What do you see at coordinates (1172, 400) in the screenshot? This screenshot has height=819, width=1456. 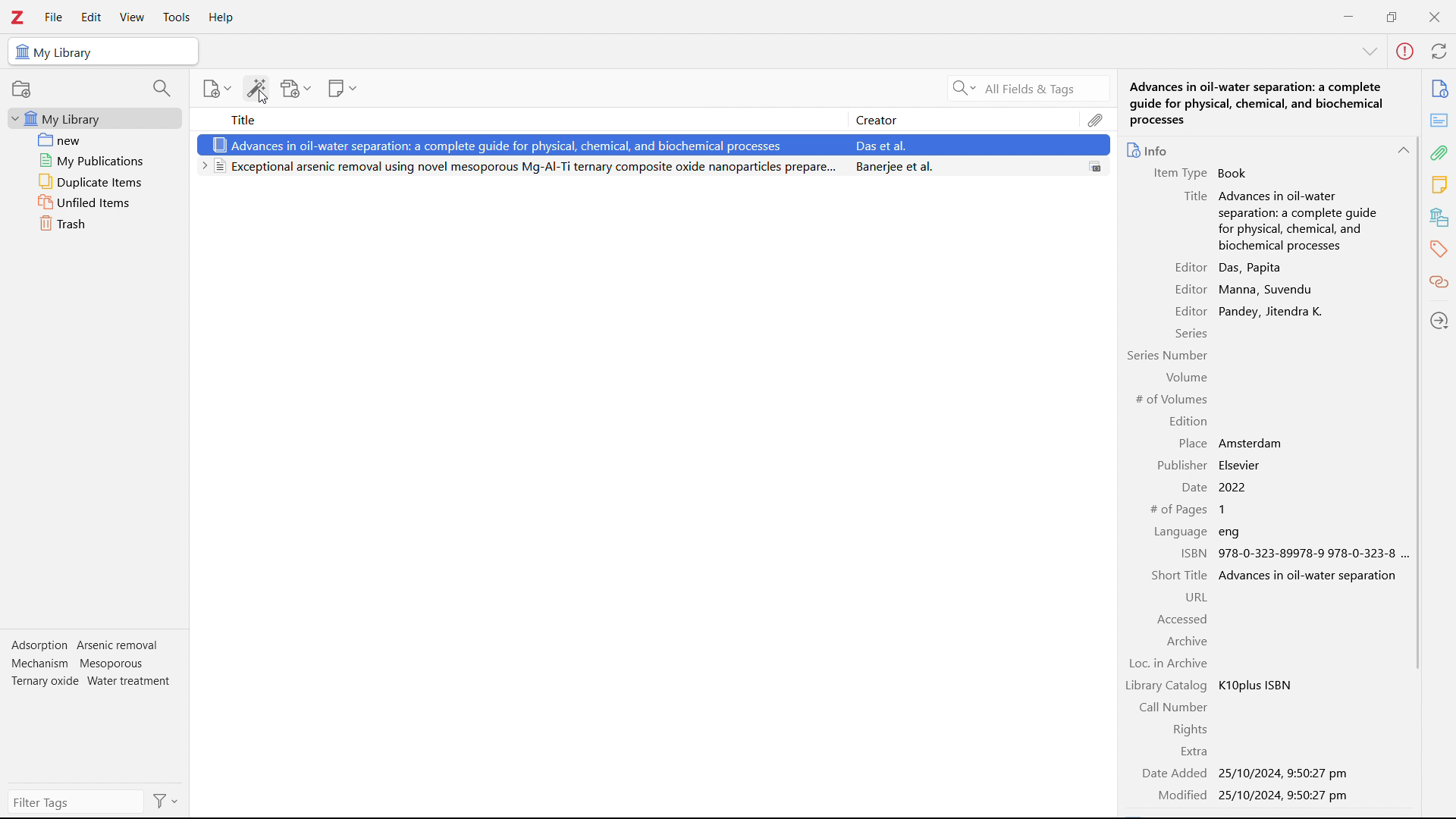 I see `# of volumes` at bounding box center [1172, 400].